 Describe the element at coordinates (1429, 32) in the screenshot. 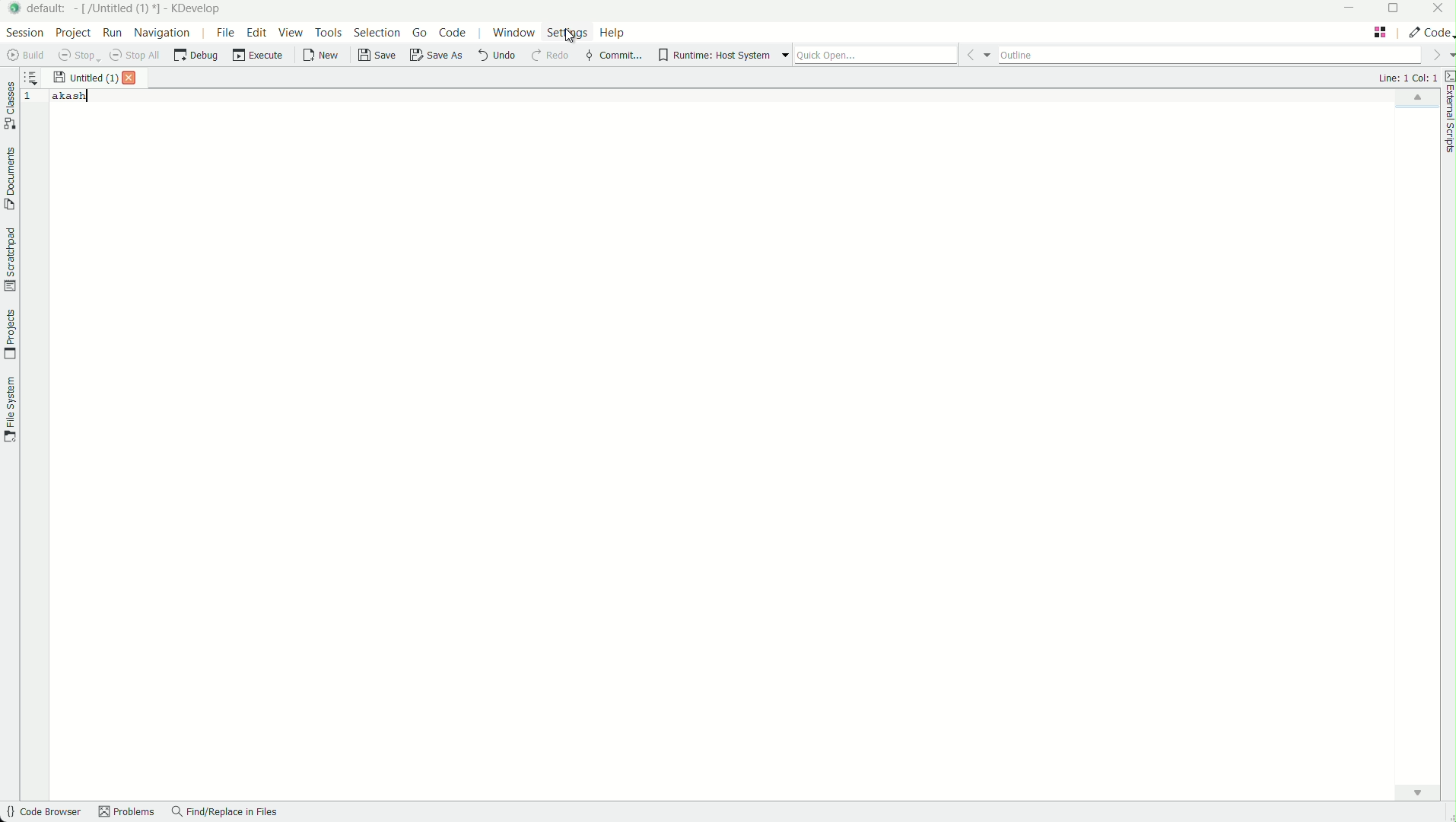

I see `execute actions to change the area` at that location.